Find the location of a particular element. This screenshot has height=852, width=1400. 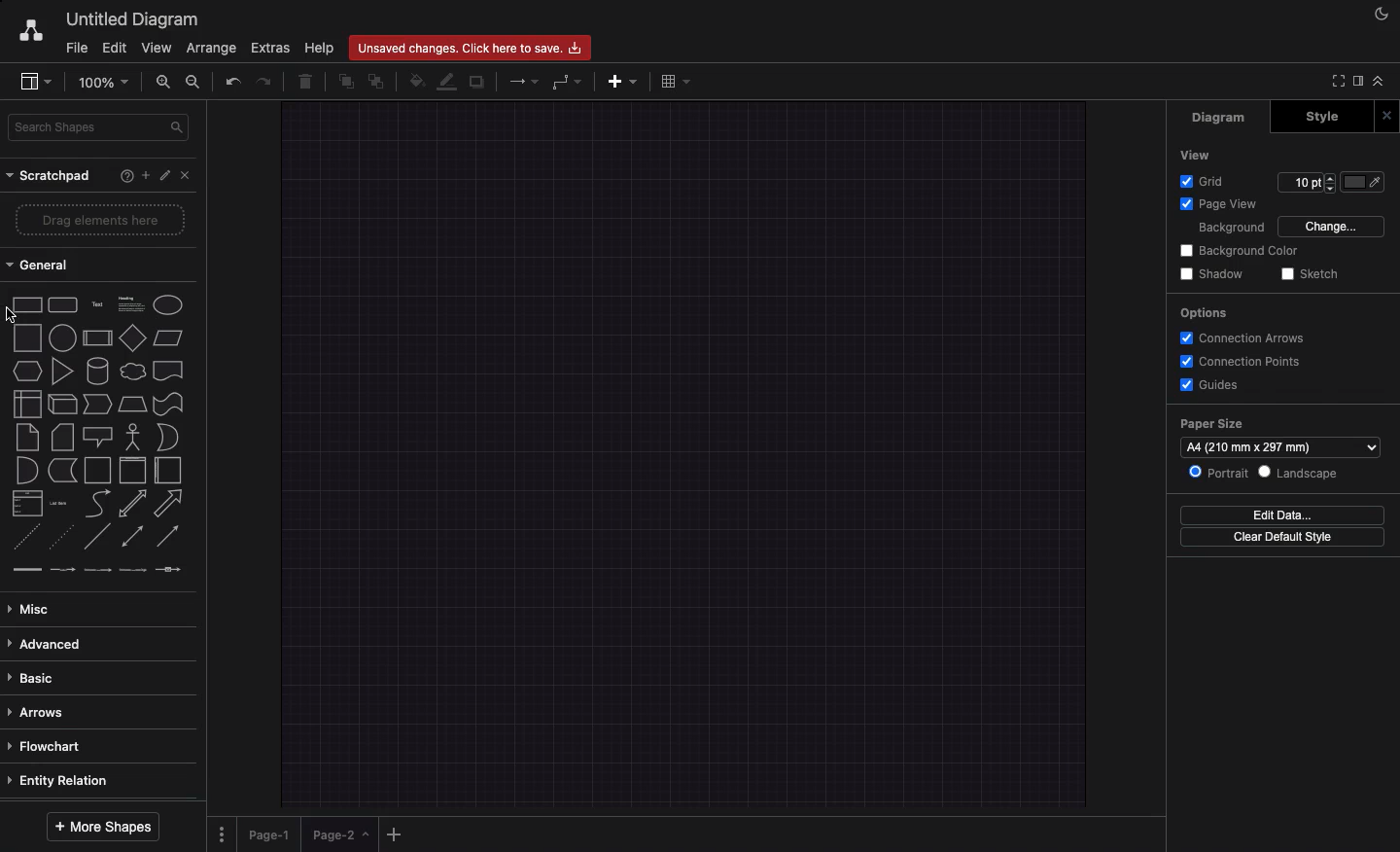

hexagone is located at coordinates (26, 369).